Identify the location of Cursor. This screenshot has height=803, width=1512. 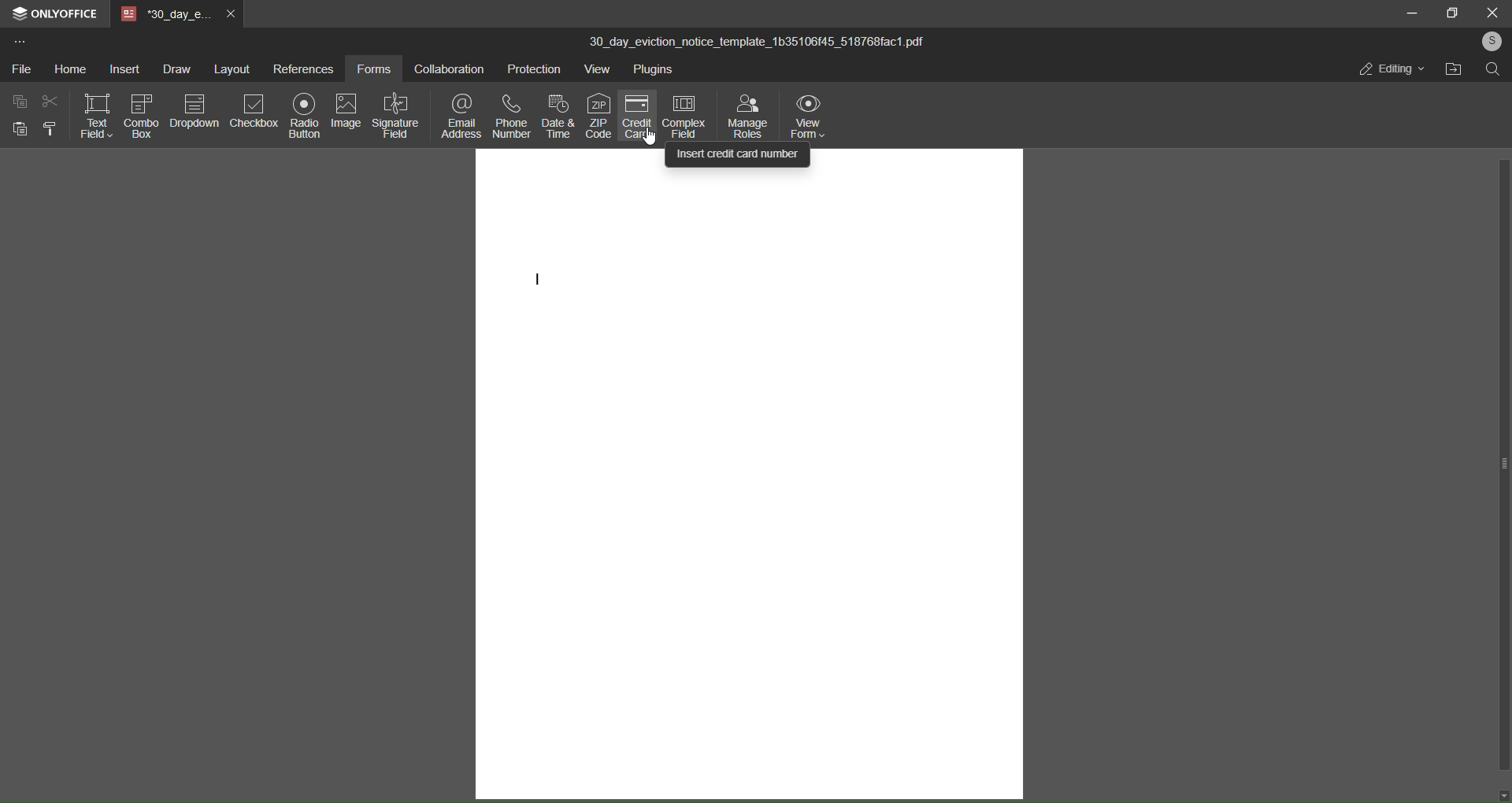
(647, 140).